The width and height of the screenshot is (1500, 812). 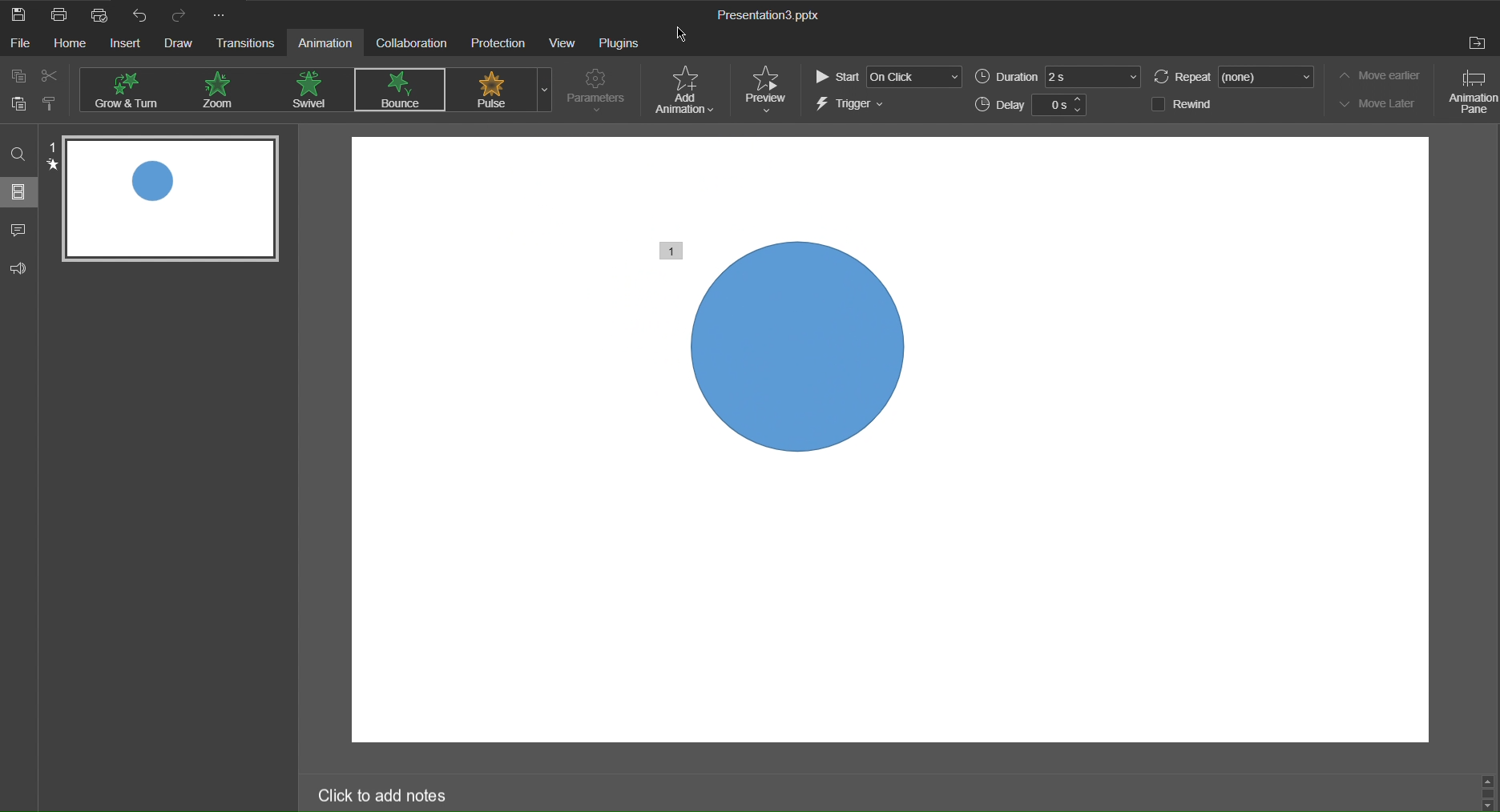 I want to click on Animations, so click(x=312, y=90).